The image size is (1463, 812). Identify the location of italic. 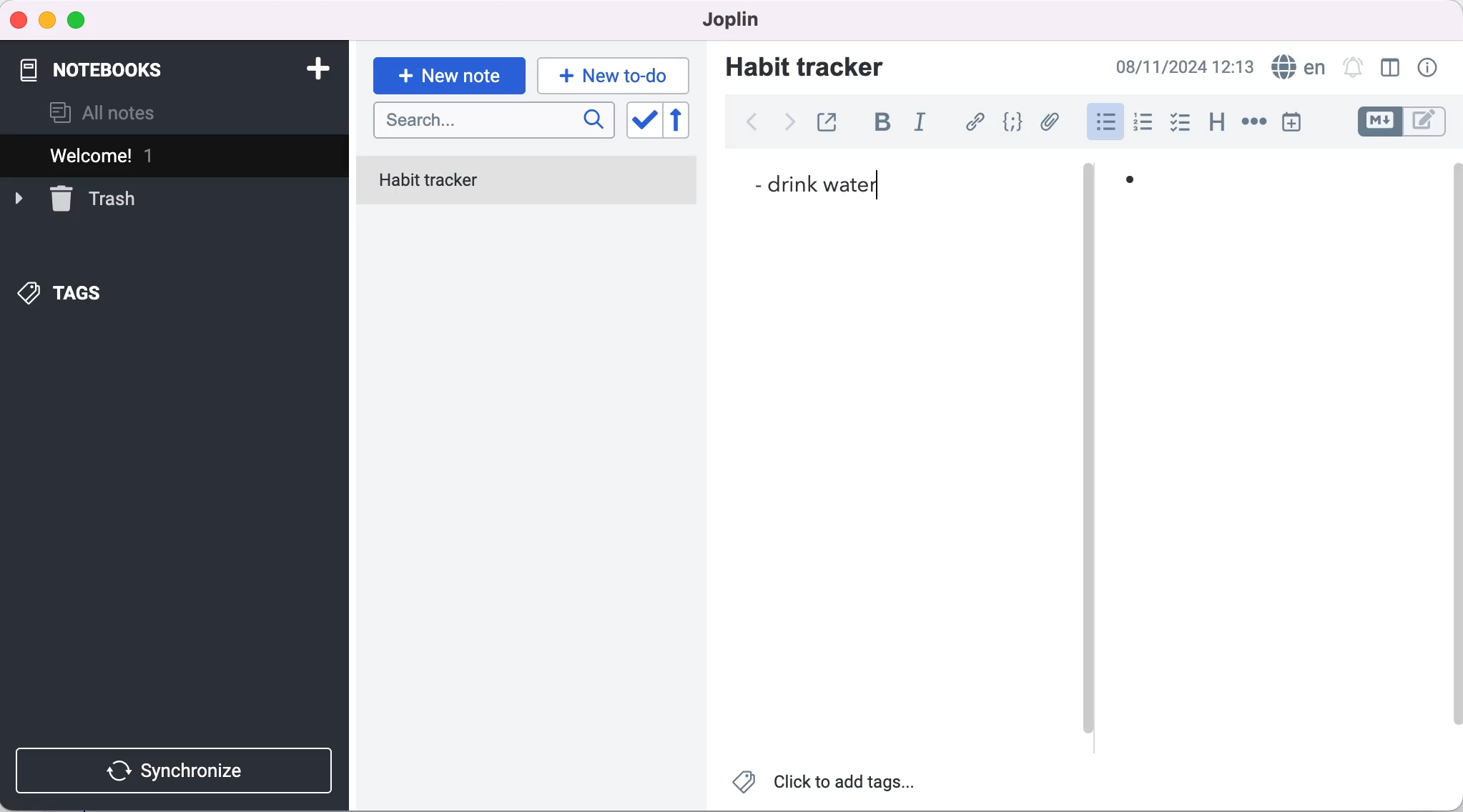
(924, 124).